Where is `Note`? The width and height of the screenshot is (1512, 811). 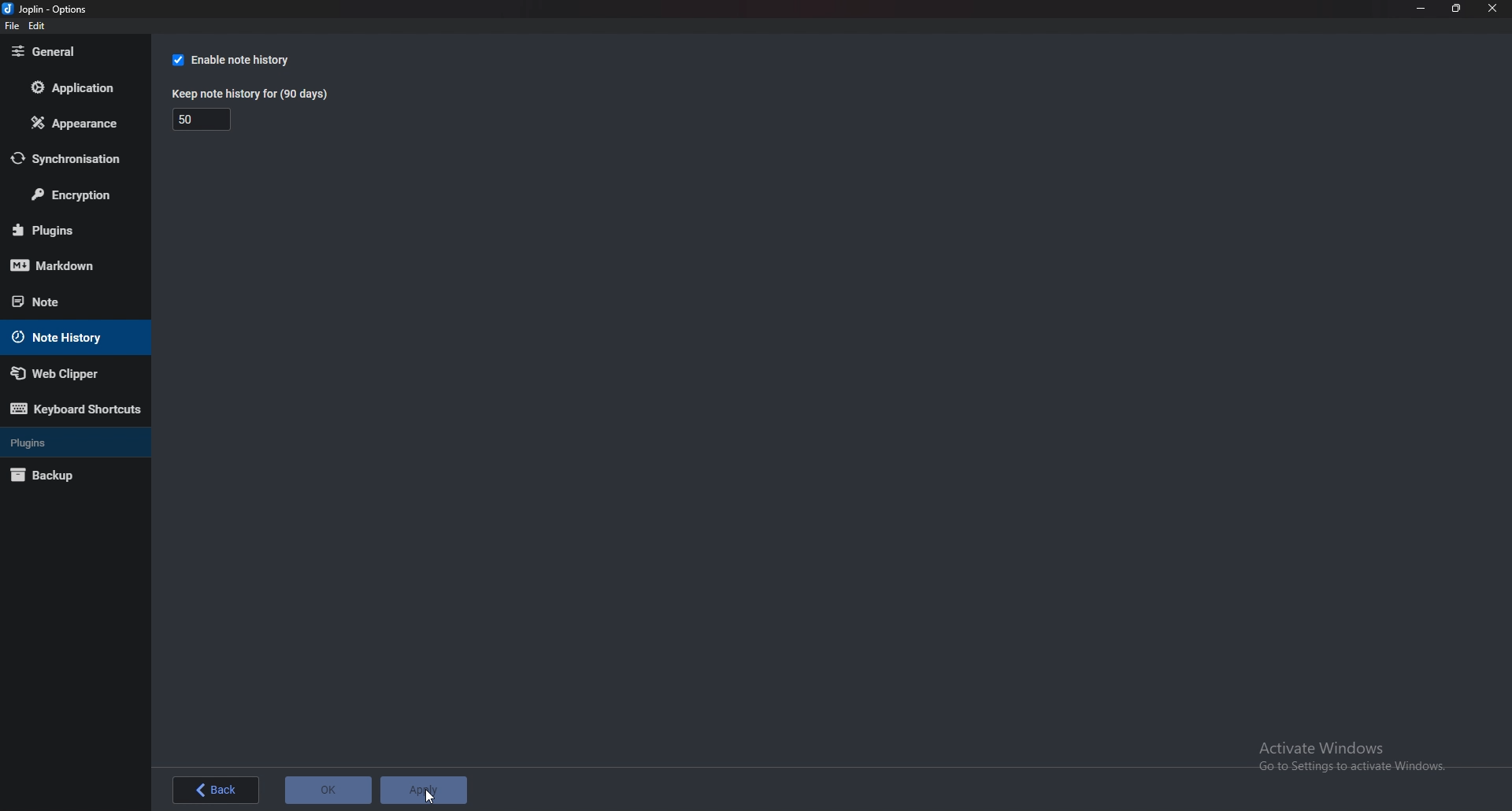
Note is located at coordinates (63, 300).